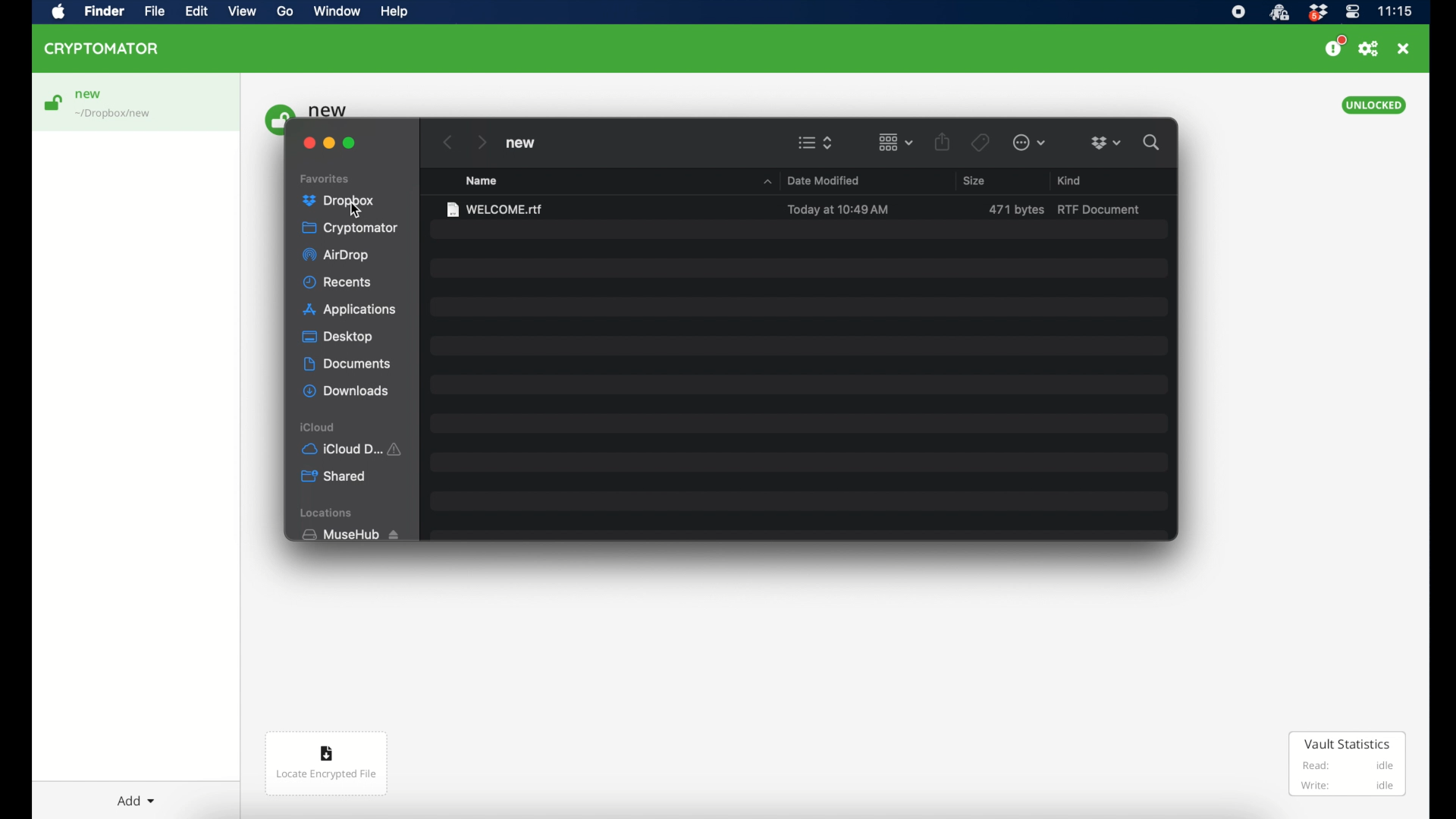 The width and height of the screenshot is (1456, 819). What do you see at coordinates (1279, 13) in the screenshot?
I see `cryptomatoricon` at bounding box center [1279, 13].